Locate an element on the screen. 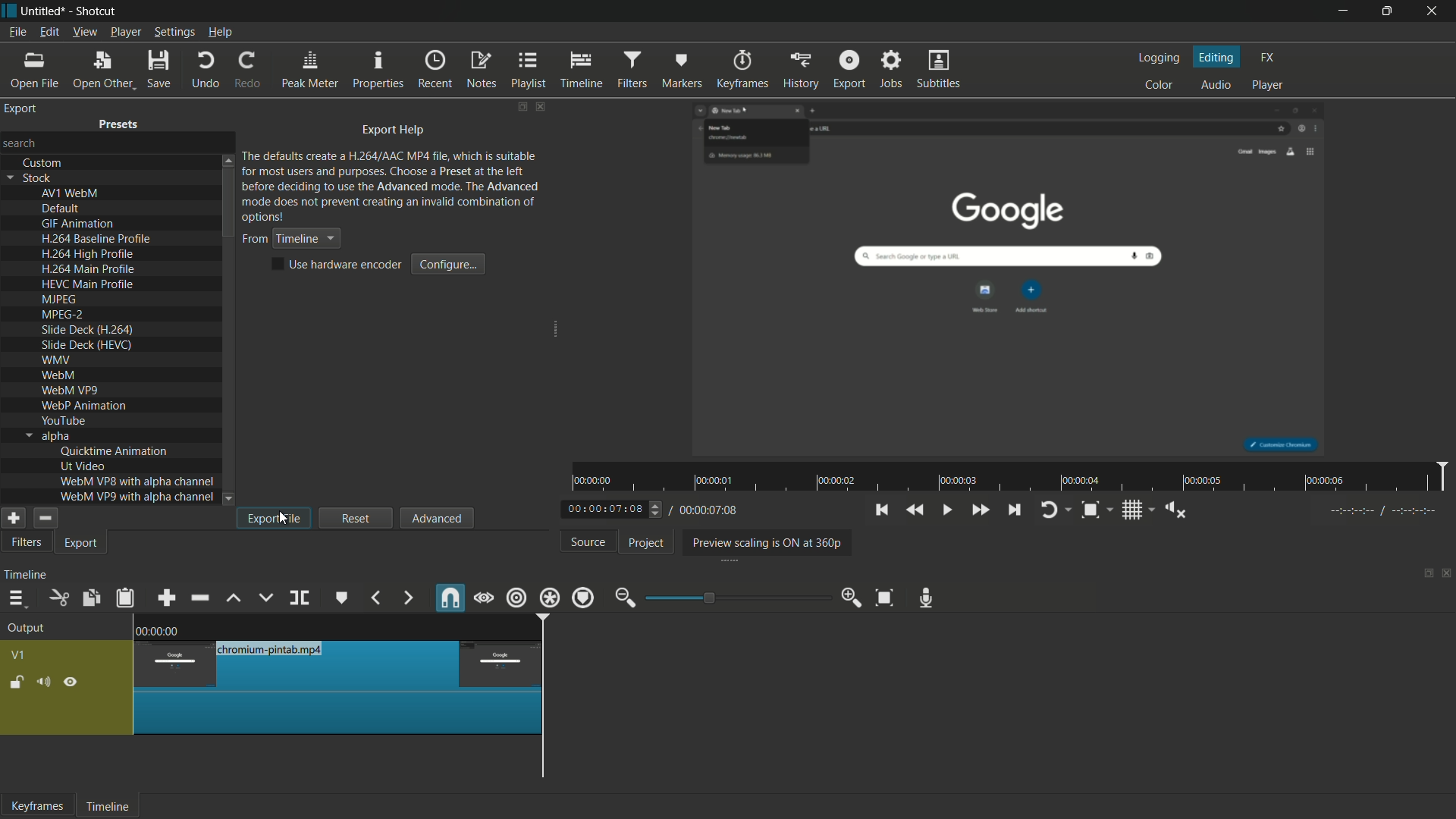 The height and width of the screenshot is (819, 1456). toggle grid is located at coordinates (1134, 510).